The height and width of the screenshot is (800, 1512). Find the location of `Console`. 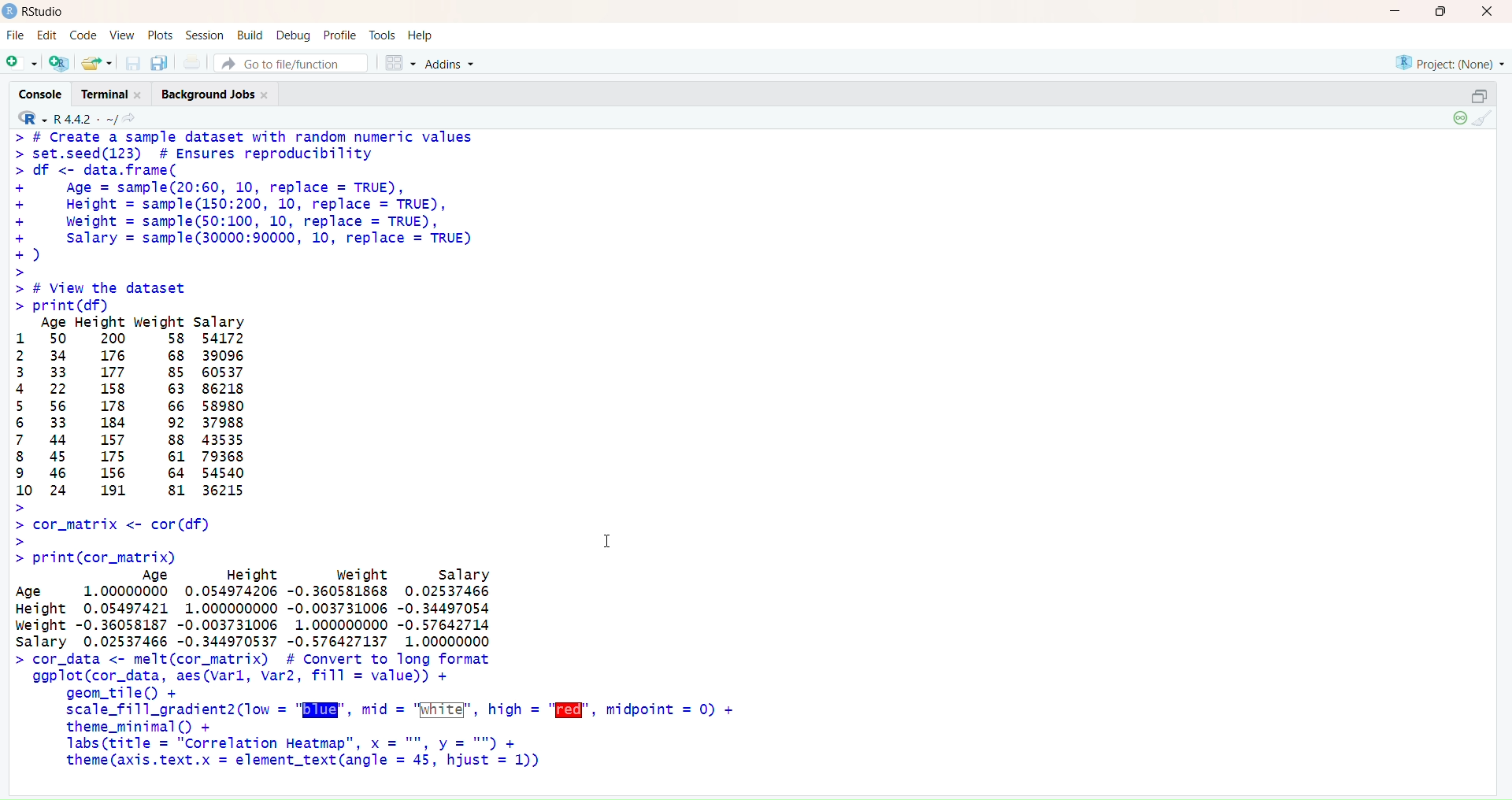

Console is located at coordinates (46, 93).